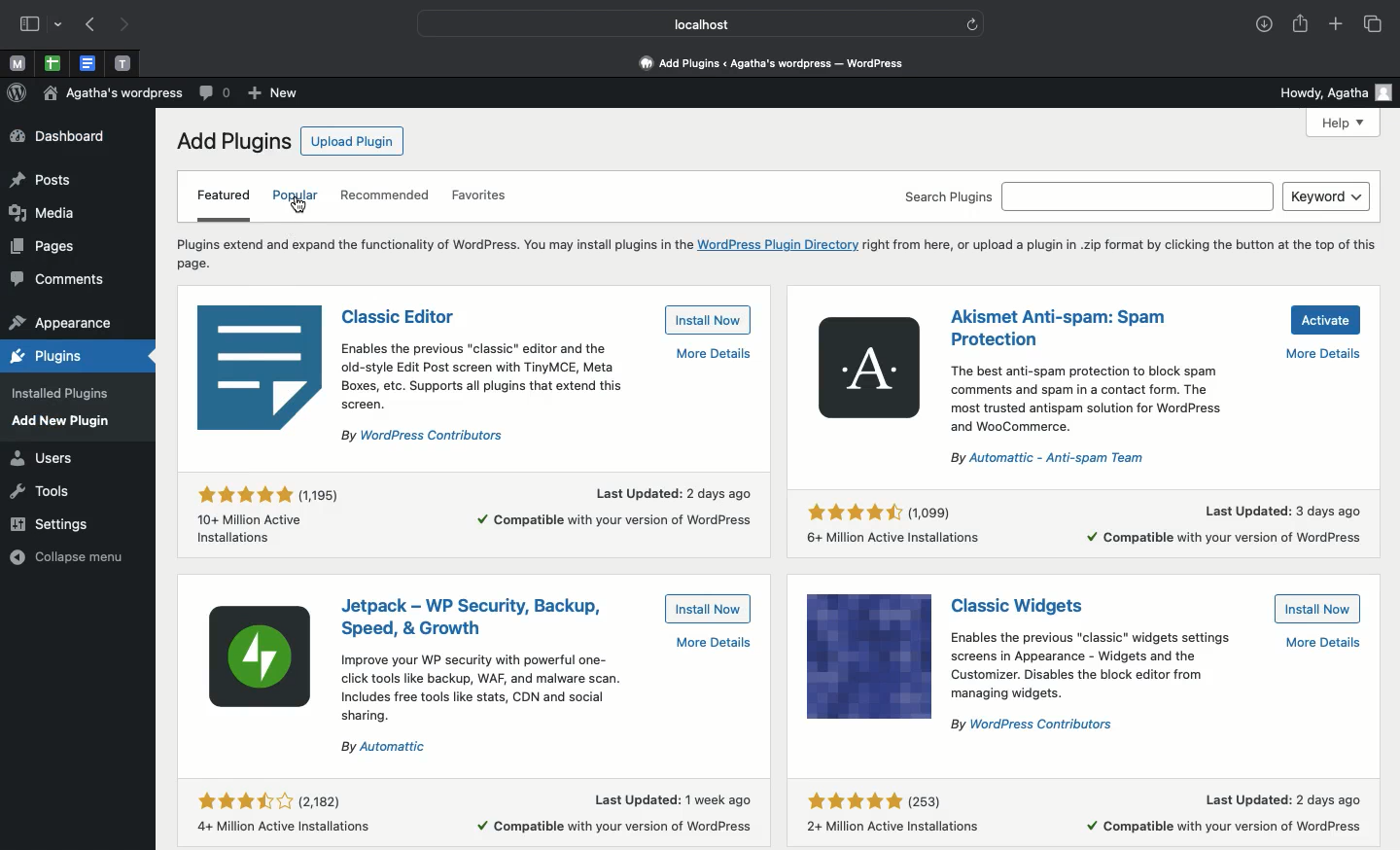 This screenshot has width=1400, height=850. What do you see at coordinates (1104, 685) in the screenshot?
I see `Instructional text` at bounding box center [1104, 685].